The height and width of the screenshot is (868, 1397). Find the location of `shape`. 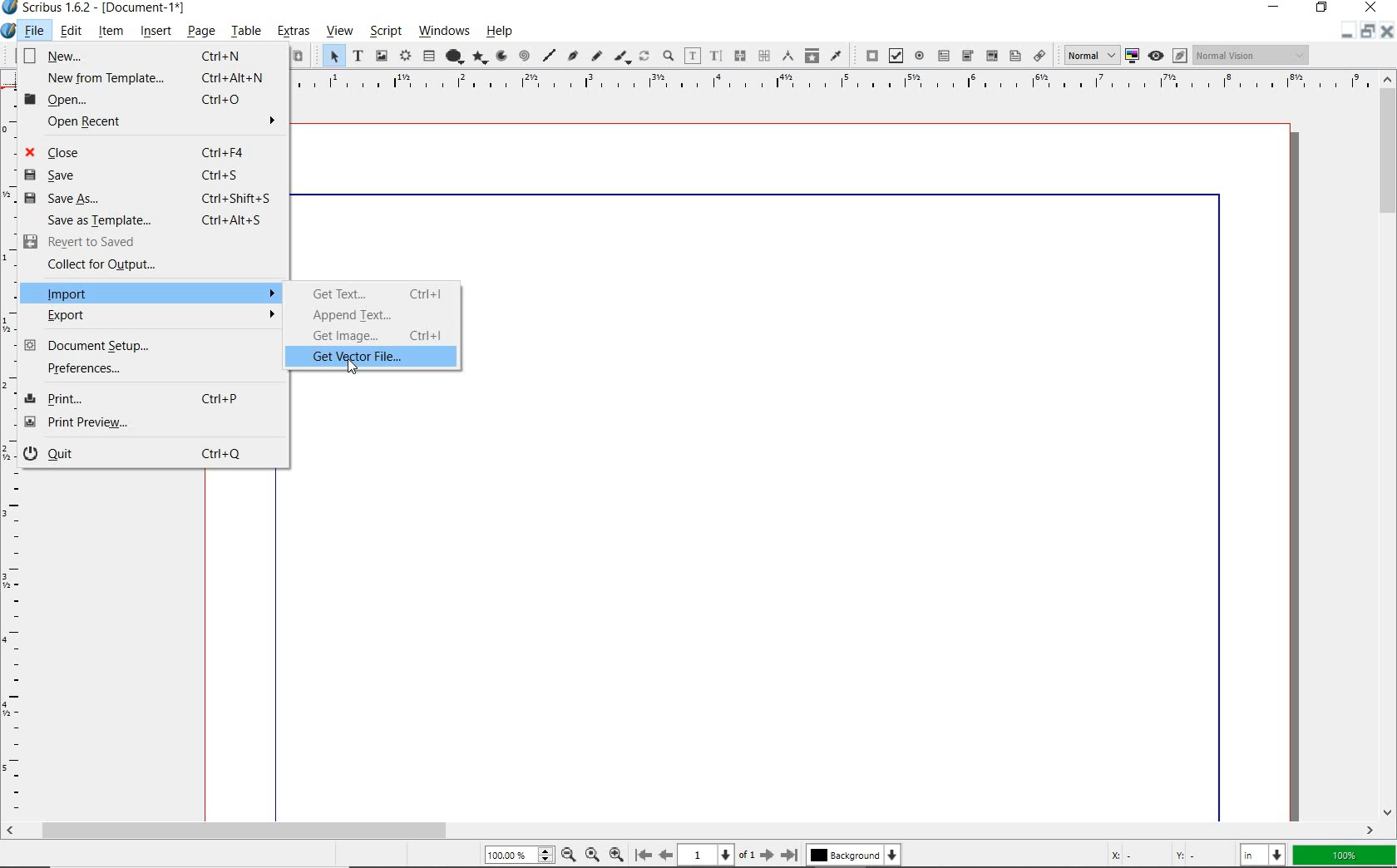

shape is located at coordinates (452, 57).